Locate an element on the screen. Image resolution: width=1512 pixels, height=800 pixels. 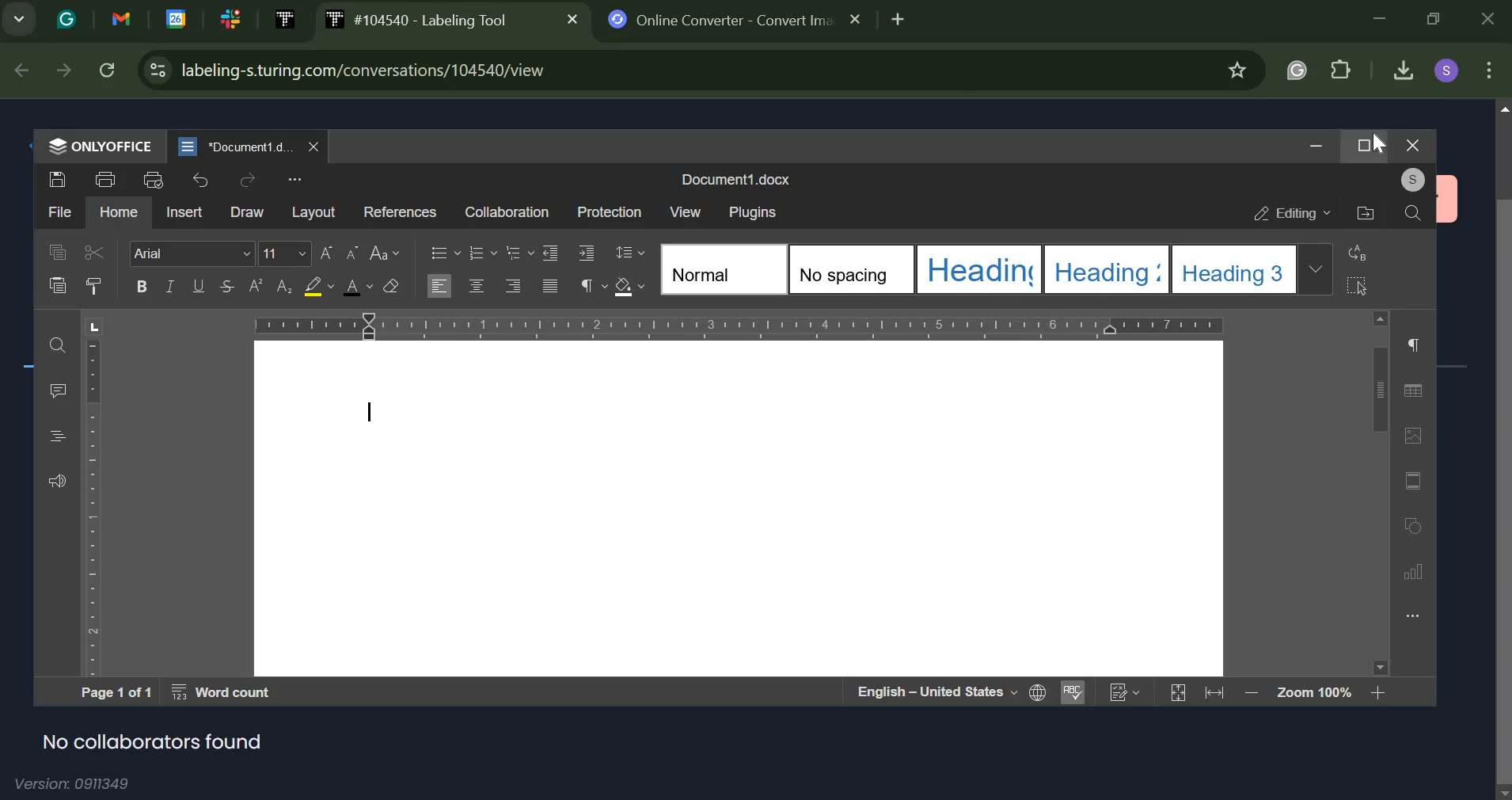
Document1.docx is located at coordinates (735, 181).